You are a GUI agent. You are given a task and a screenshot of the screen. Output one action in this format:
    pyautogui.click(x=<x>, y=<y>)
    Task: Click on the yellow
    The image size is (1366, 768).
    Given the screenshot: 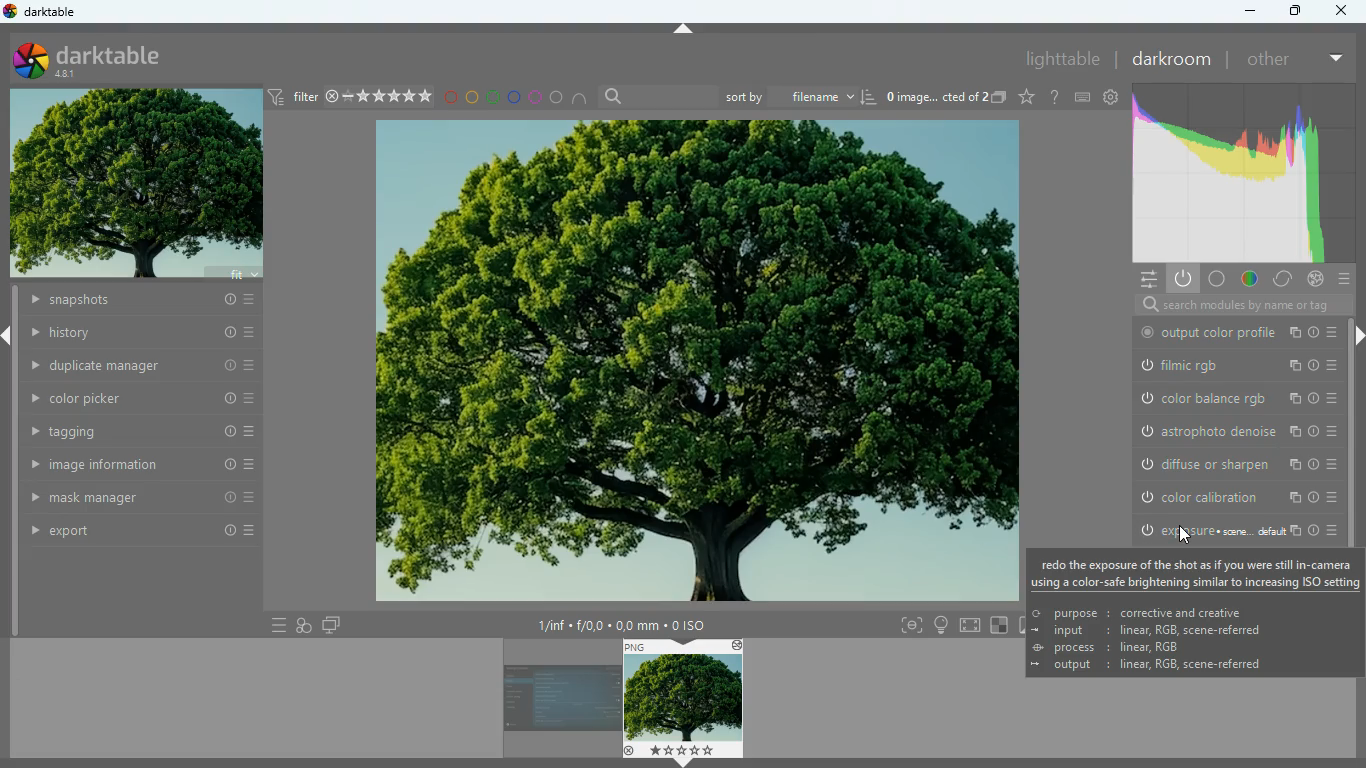 What is the action you would take?
    pyautogui.click(x=472, y=98)
    